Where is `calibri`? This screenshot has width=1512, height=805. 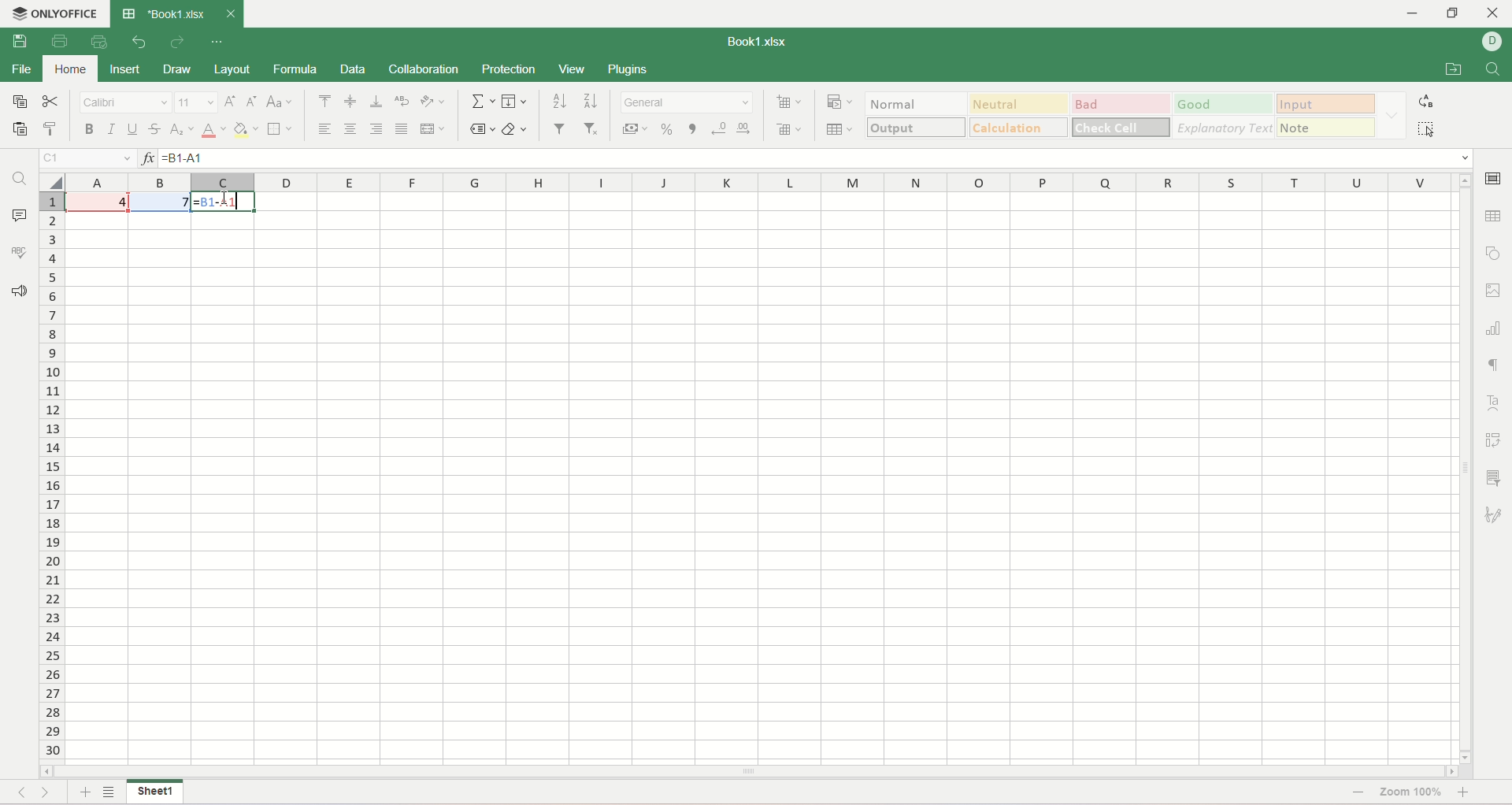
calibri is located at coordinates (125, 102).